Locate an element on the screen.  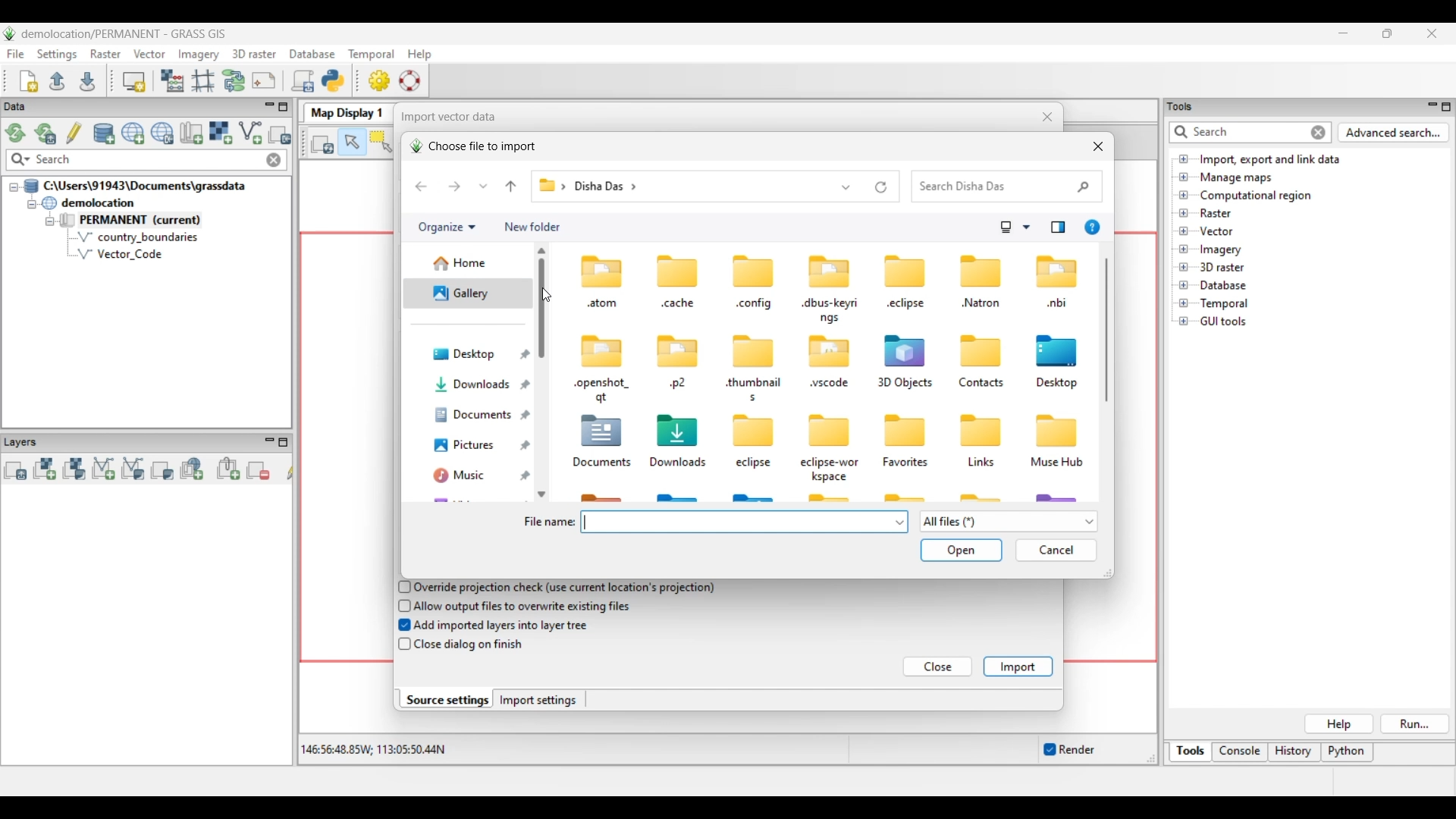
disha das is located at coordinates (609, 186).